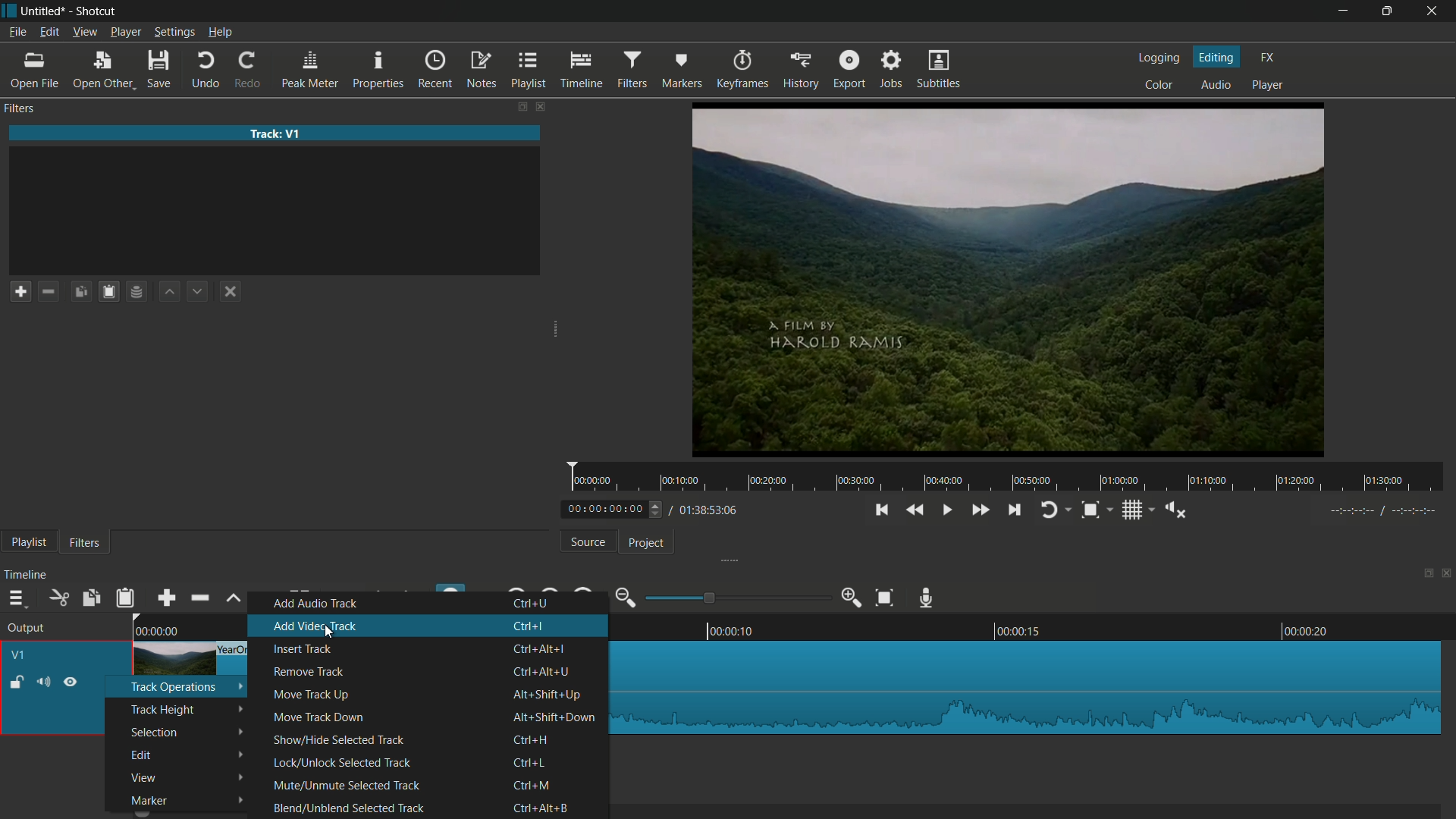 This screenshot has width=1456, height=819. I want to click on key shortcut, so click(544, 807).